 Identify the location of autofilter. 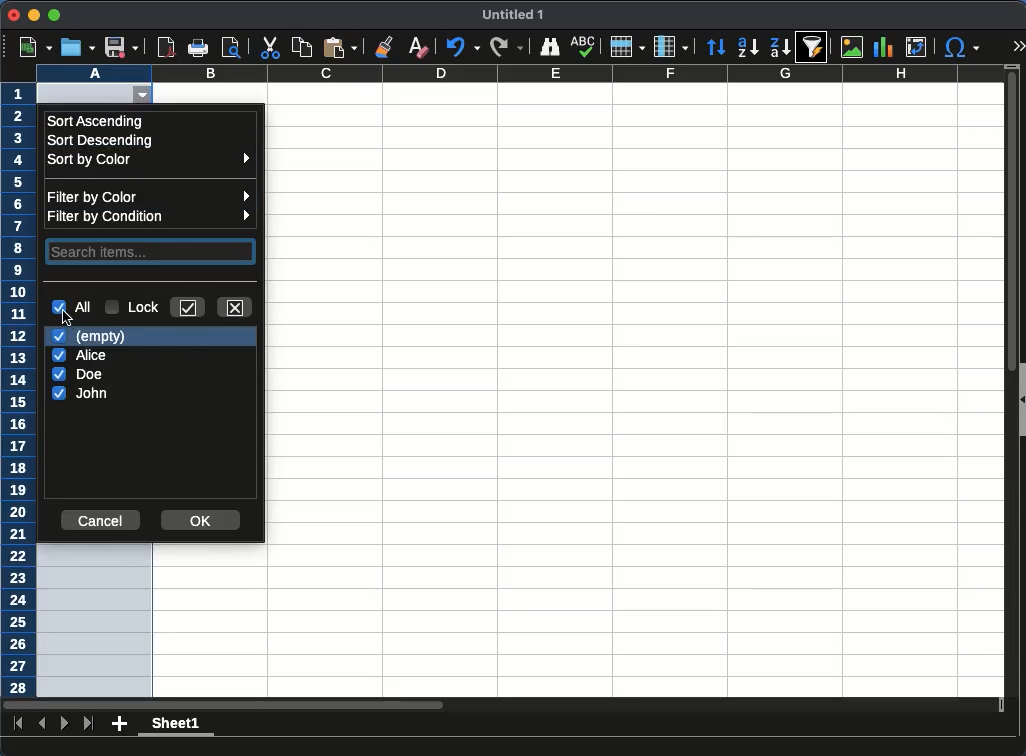
(813, 46).